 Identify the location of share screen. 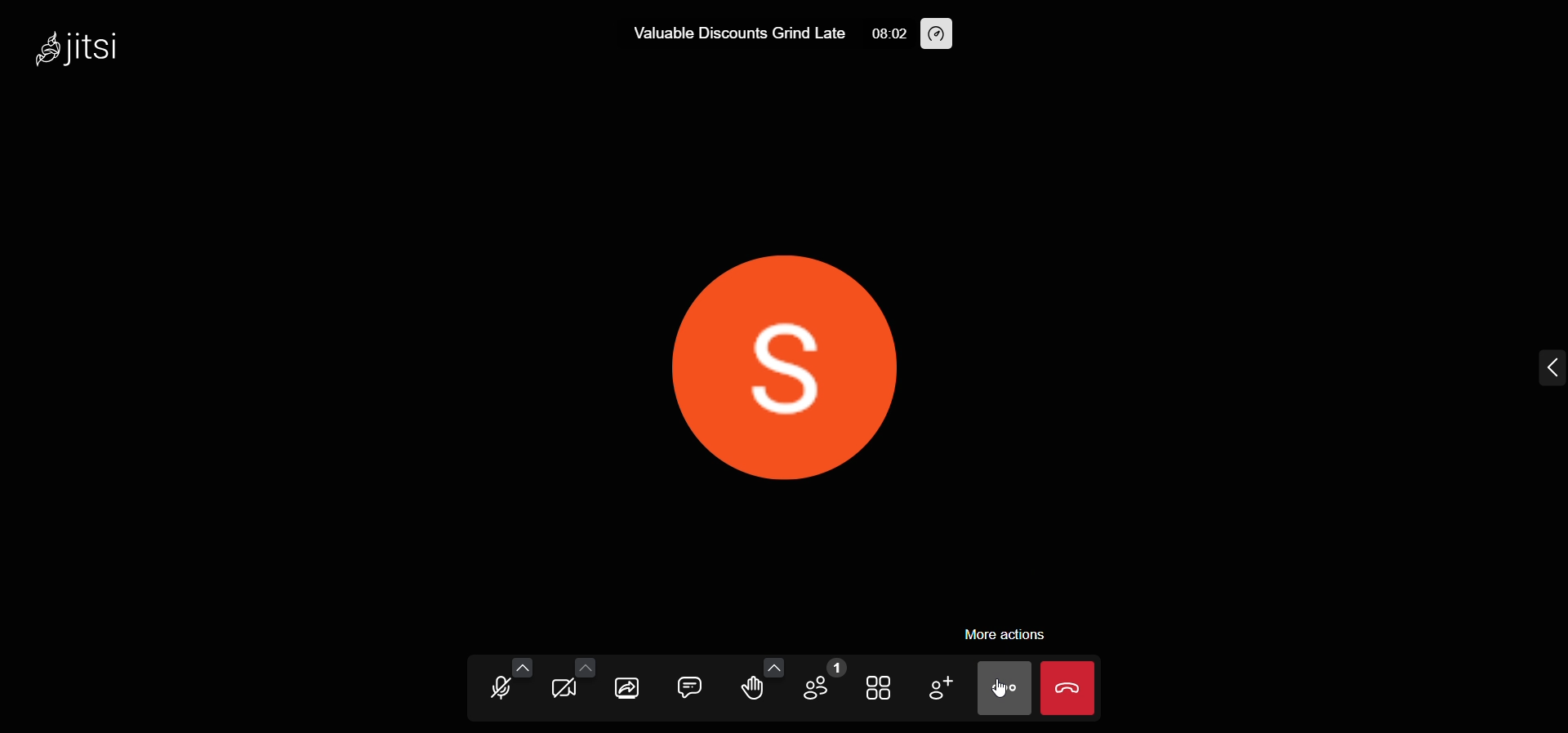
(627, 686).